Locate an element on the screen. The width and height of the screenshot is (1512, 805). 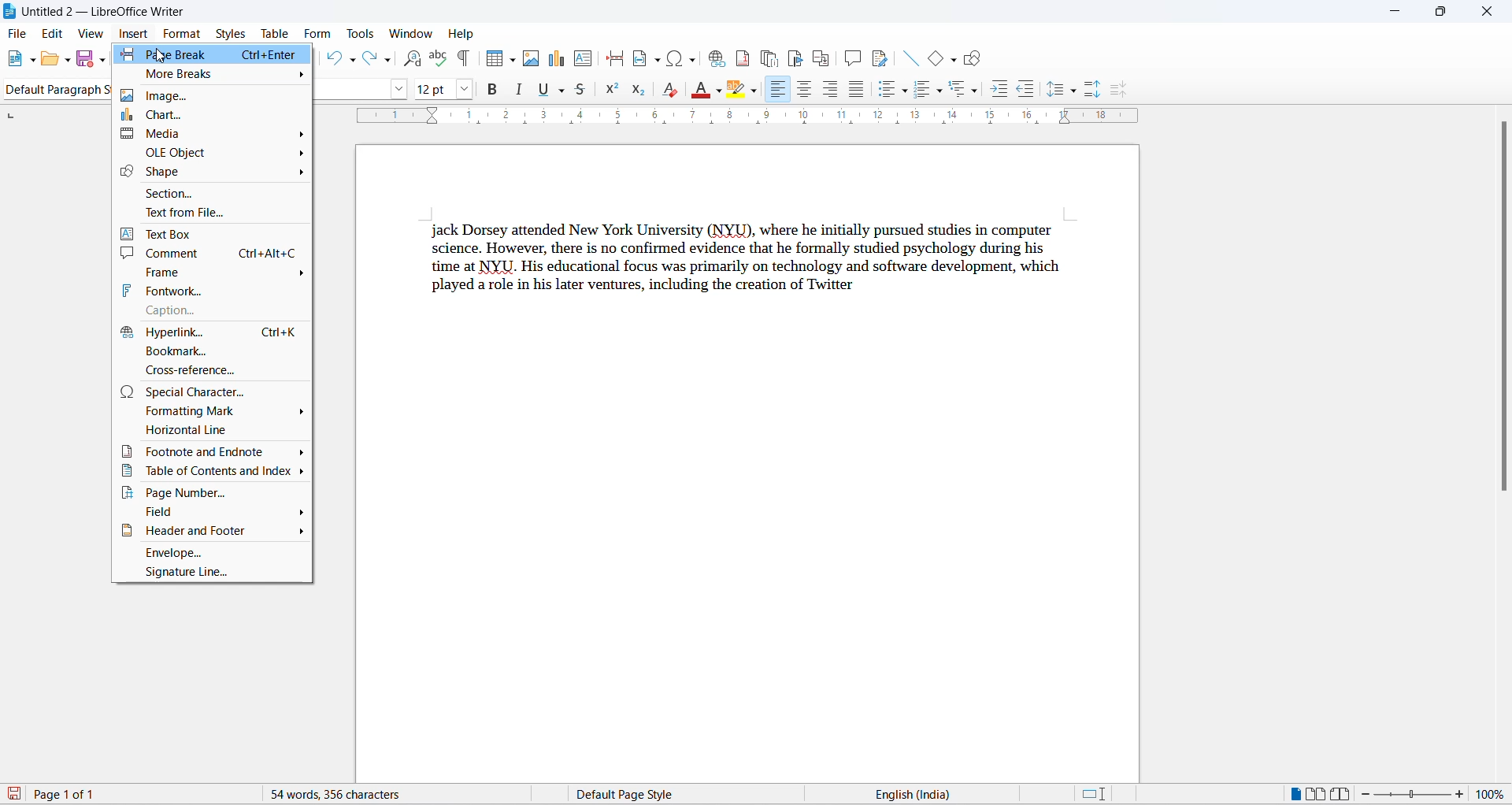
decrease paragraph spacing is located at coordinates (1119, 90).